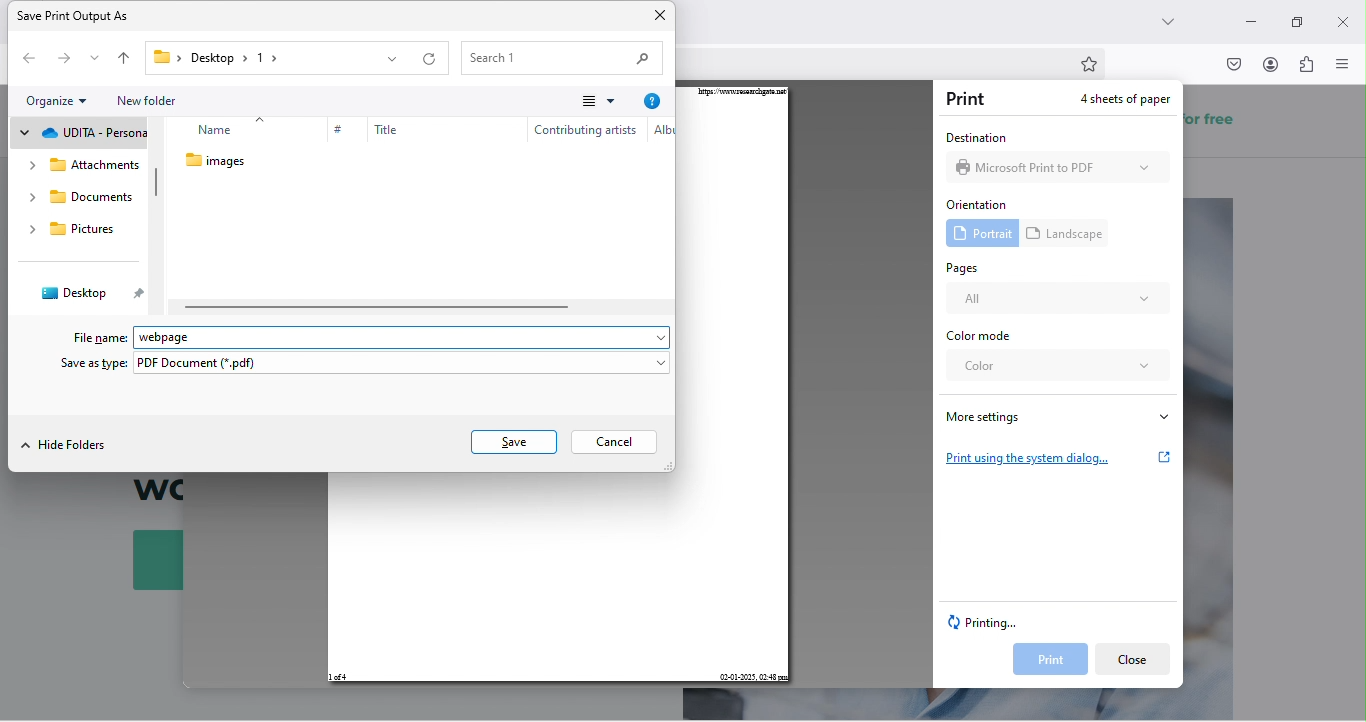 This screenshot has height=722, width=1366. Describe the element at coordinates (63, 102) in the screenshot. I see `organize` at that location.